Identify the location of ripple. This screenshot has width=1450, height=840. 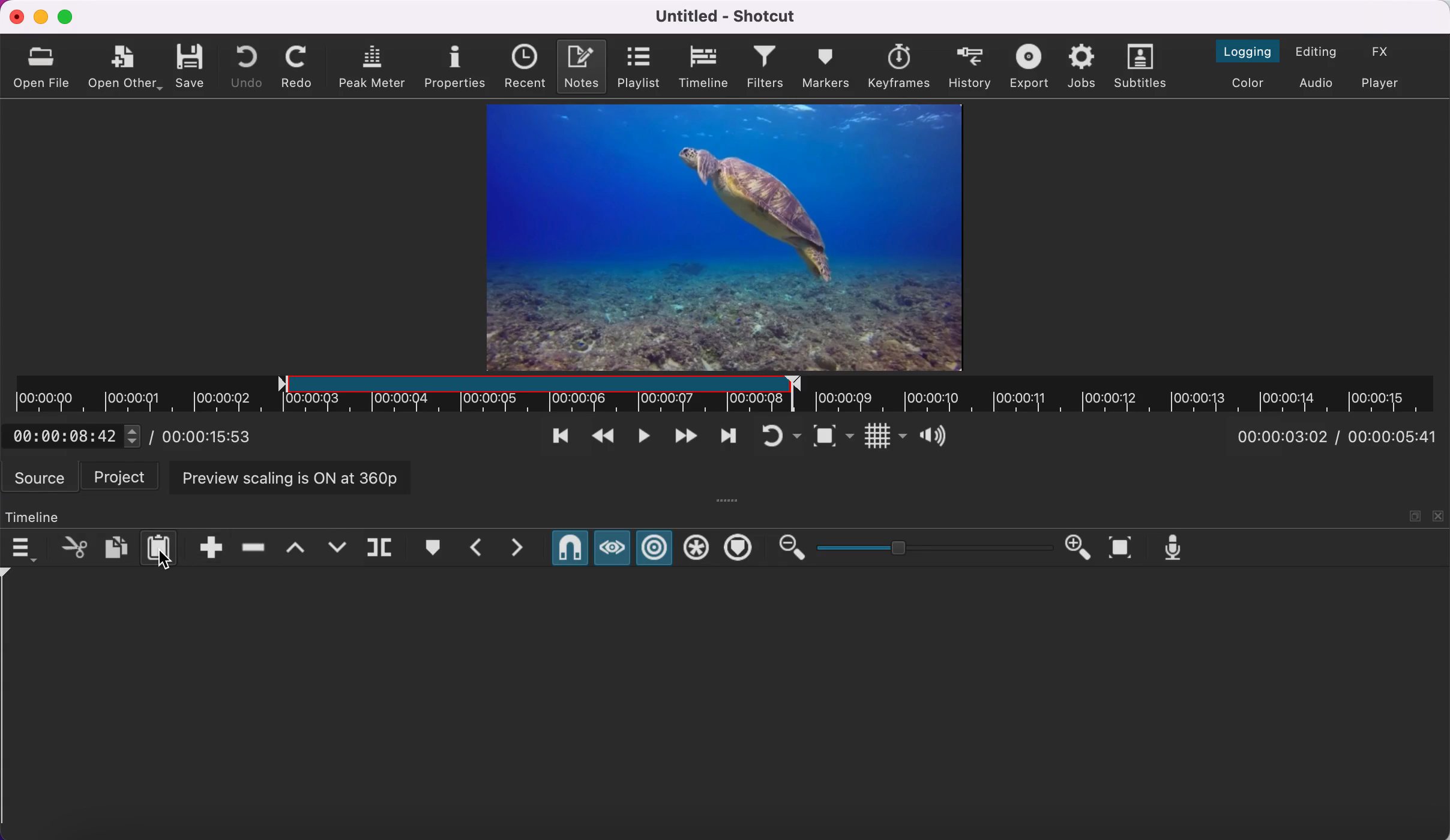
(655, 547).